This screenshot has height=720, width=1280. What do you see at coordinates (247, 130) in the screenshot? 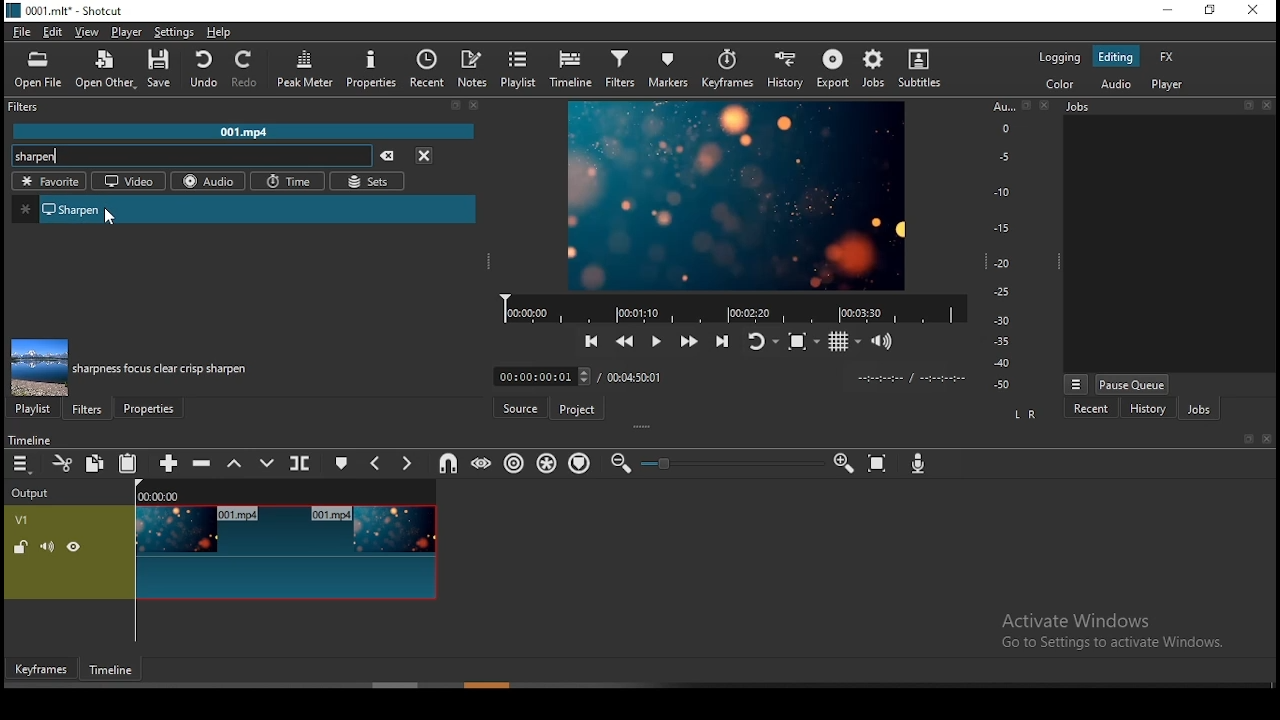
I see `001.mp4` at bounding box center [247, 130].